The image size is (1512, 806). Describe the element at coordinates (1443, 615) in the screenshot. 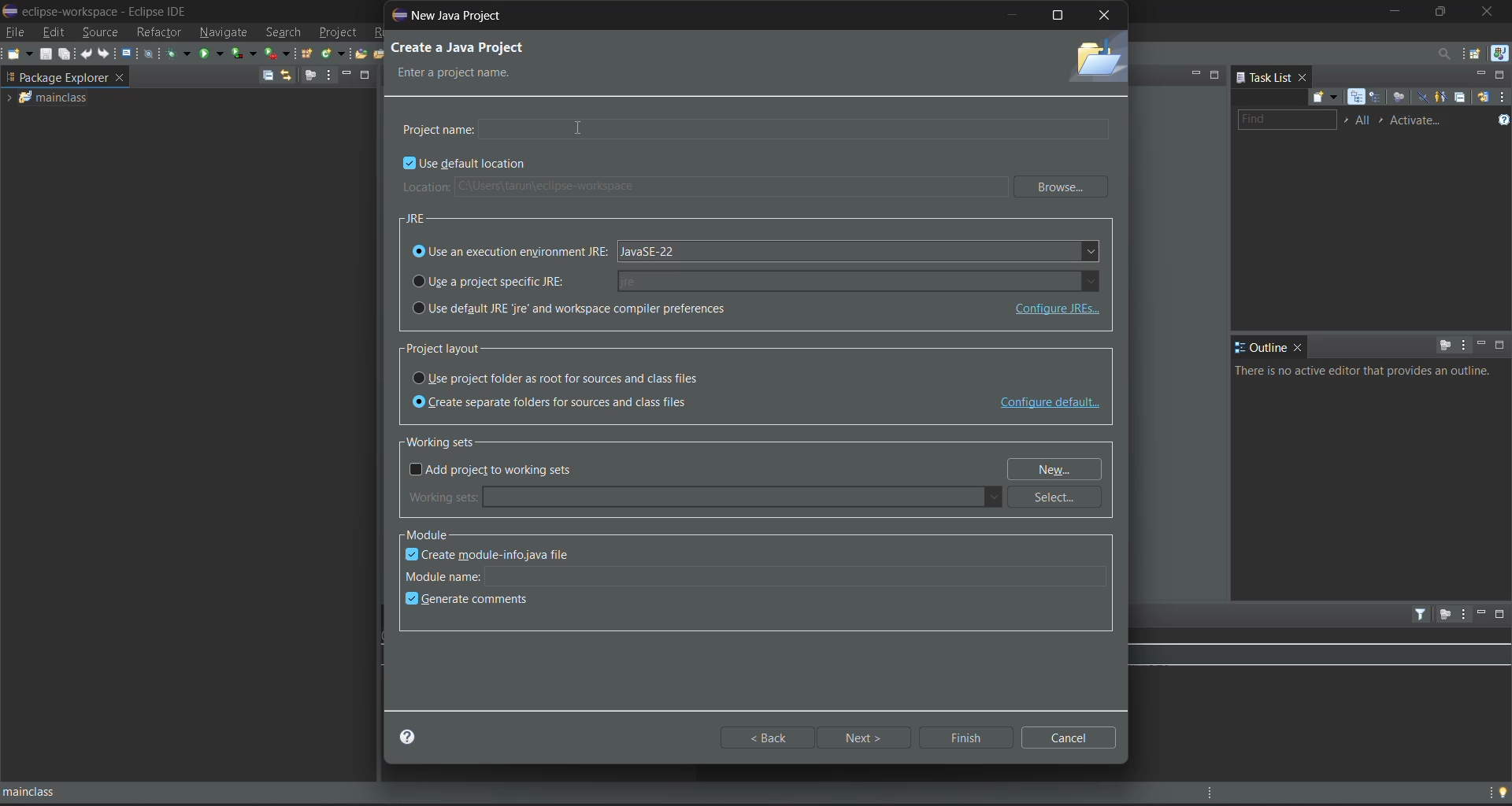

I see `focus on active task` at that location.